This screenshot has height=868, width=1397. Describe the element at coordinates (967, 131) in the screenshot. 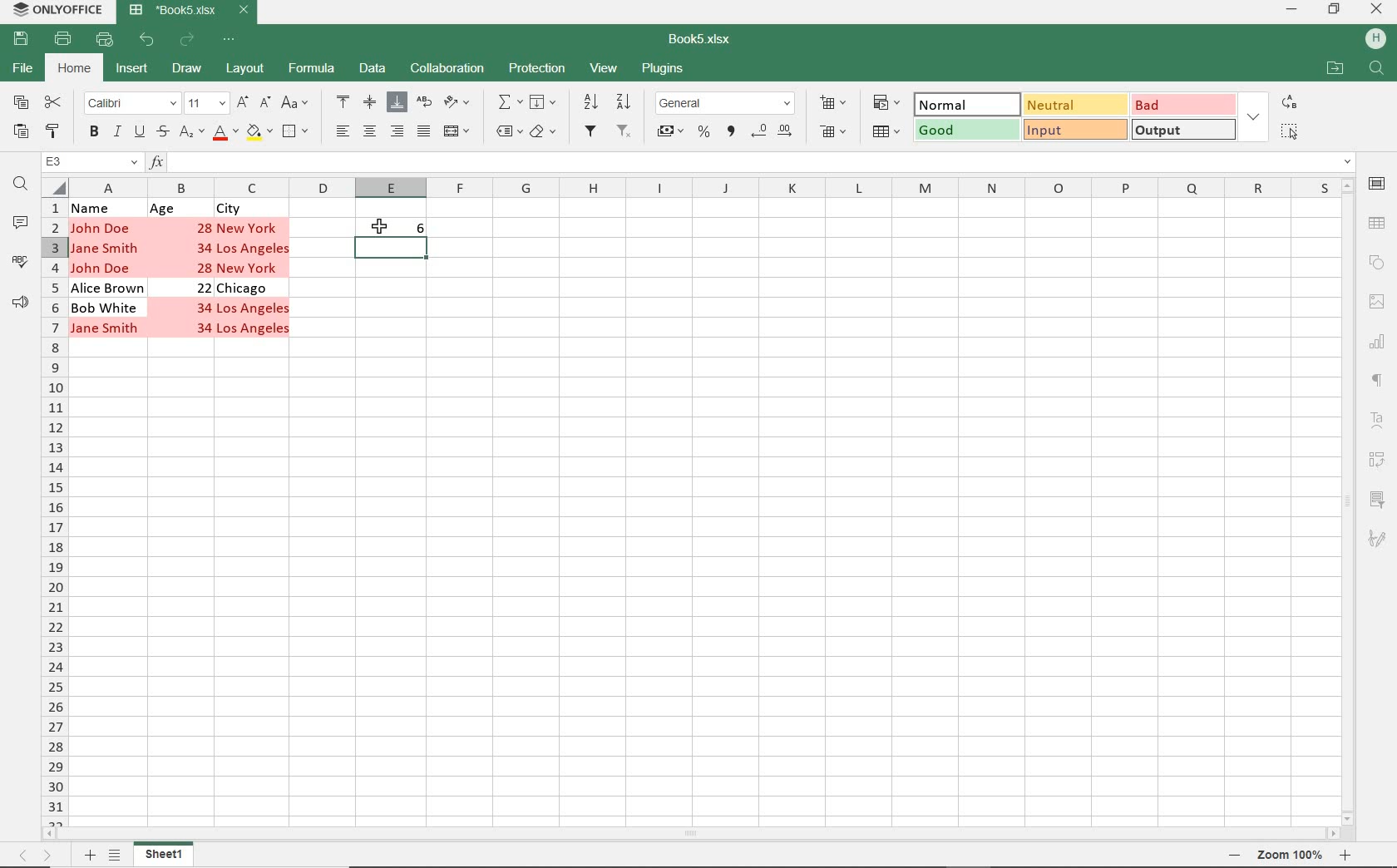

I see `GOOD` at that location.